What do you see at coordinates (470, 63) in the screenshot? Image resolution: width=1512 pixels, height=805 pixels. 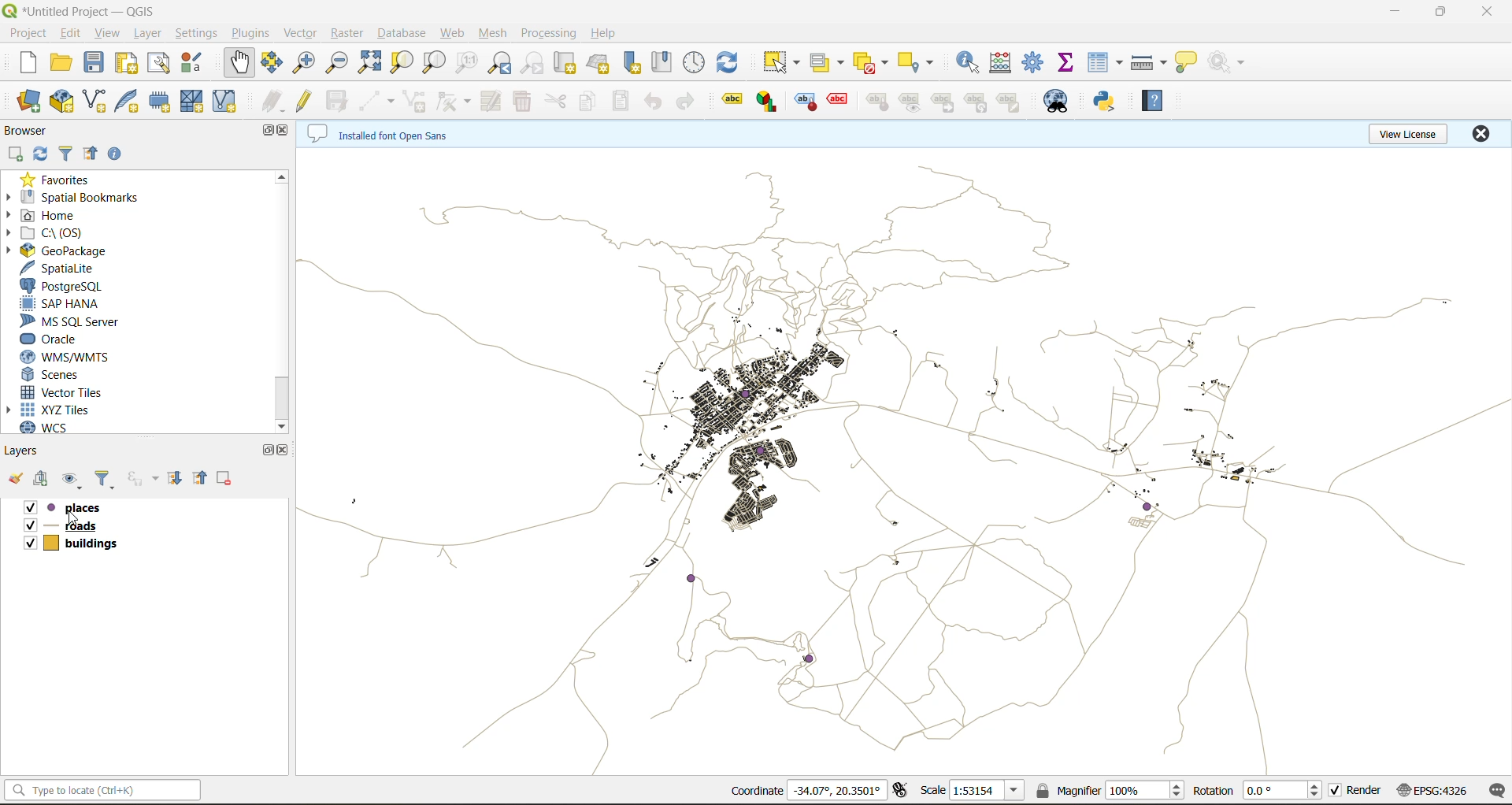 I see `zoom native` at bounding box center [470, 63].